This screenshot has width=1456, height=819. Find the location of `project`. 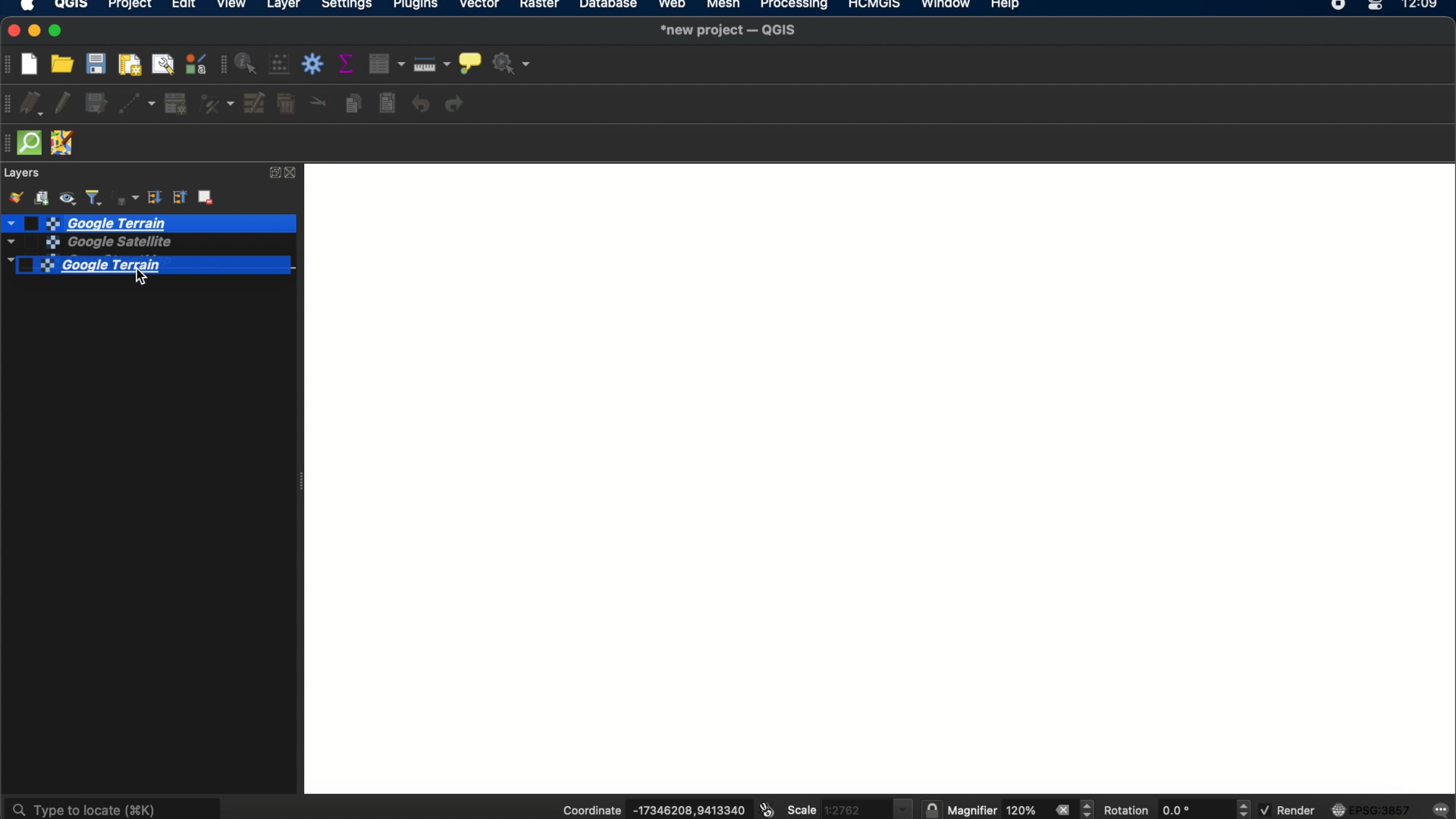

project is located at coordinates (129, 6).